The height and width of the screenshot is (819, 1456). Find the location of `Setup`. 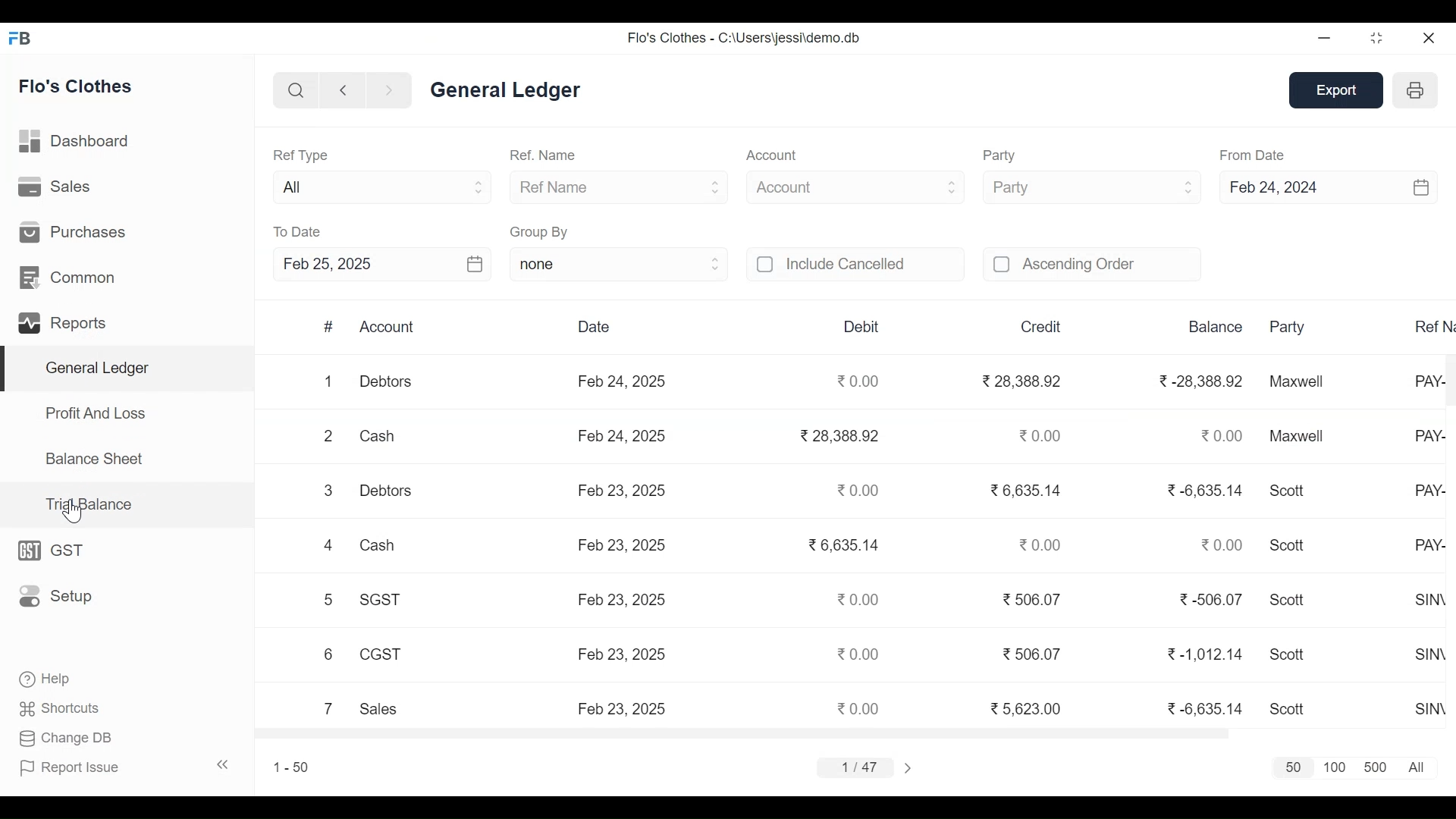

Setup is located at coordinates (56, 597).